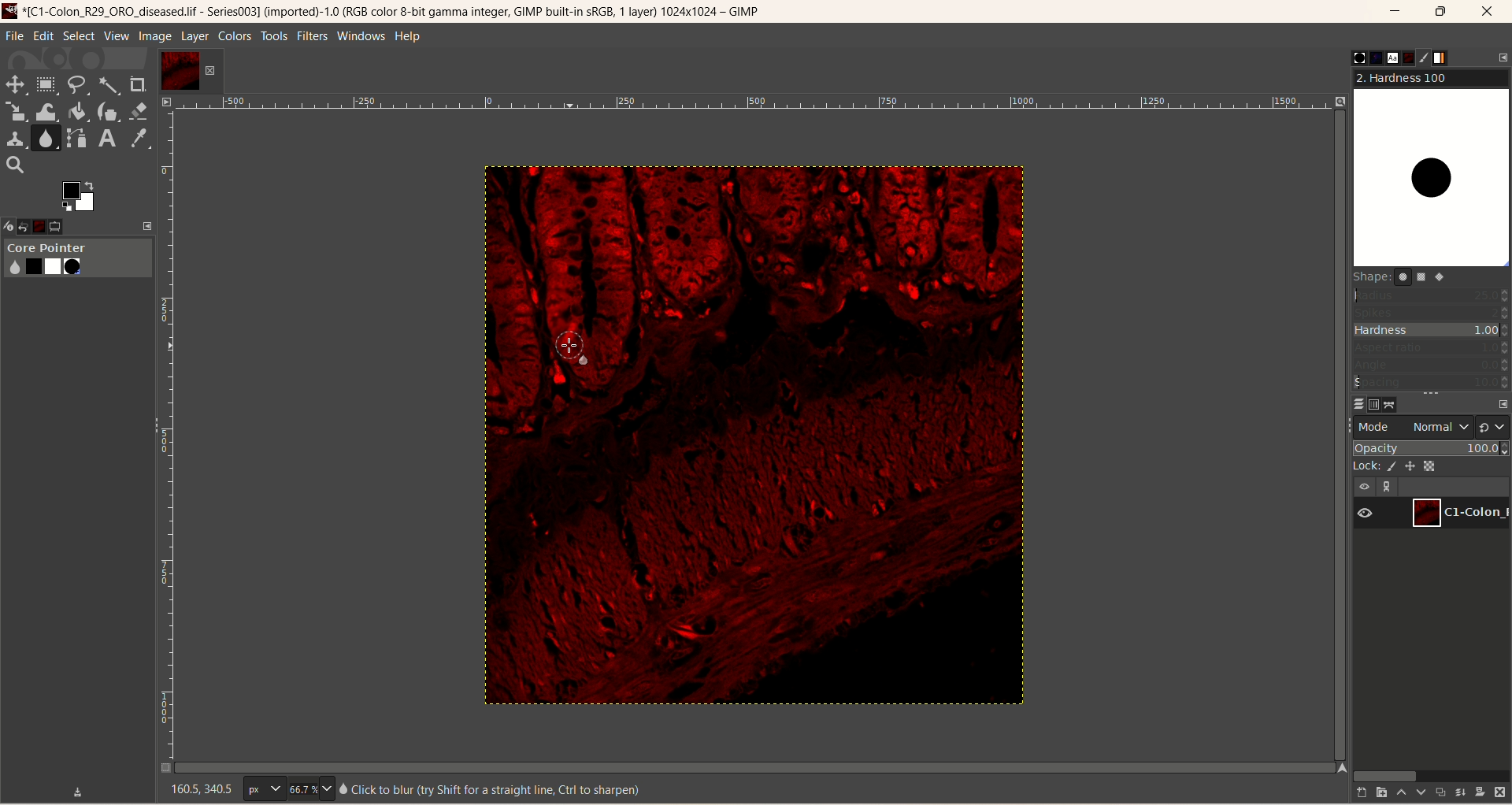 This screenshot has height=805, width=1512. Describe the element at coordinates (1407, 57) in the screenshot. I see `document history` at that location.